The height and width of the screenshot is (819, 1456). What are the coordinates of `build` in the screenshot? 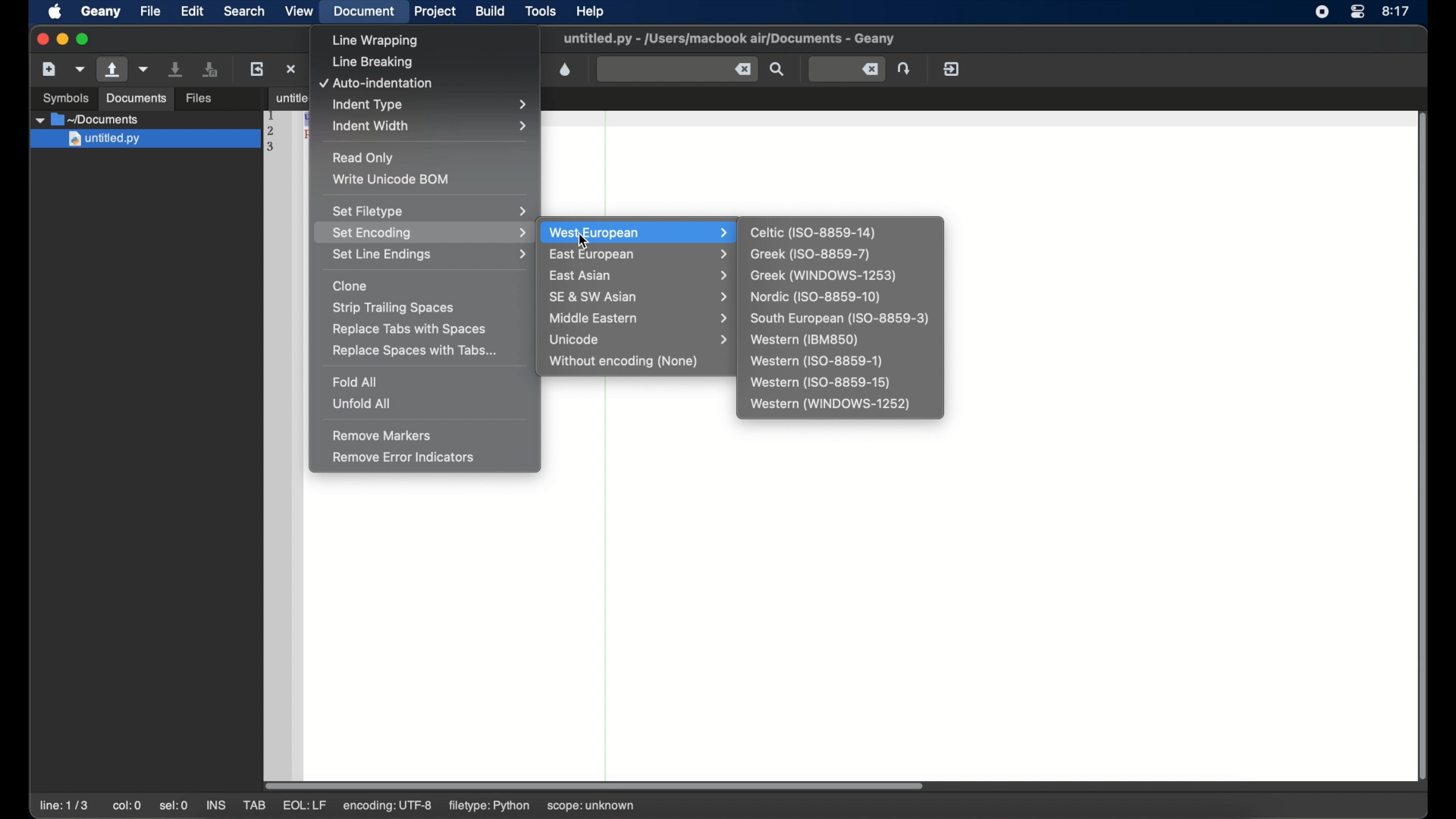 It's located at (491, 11).